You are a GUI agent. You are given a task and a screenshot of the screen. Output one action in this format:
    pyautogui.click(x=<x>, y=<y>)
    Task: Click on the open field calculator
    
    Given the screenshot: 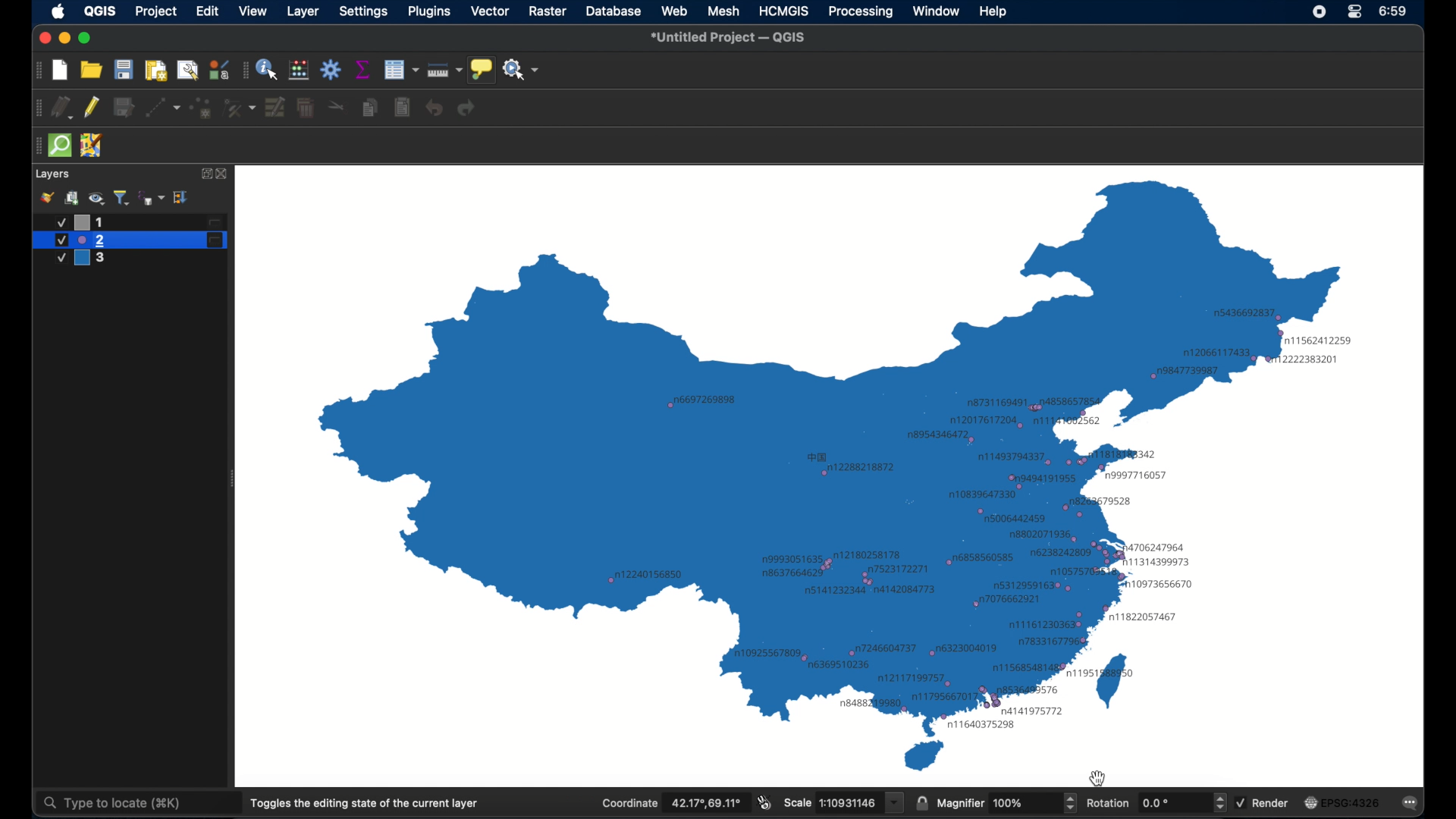 What is the action you would take?
    pyautogui.click(x=300, y=69)
    